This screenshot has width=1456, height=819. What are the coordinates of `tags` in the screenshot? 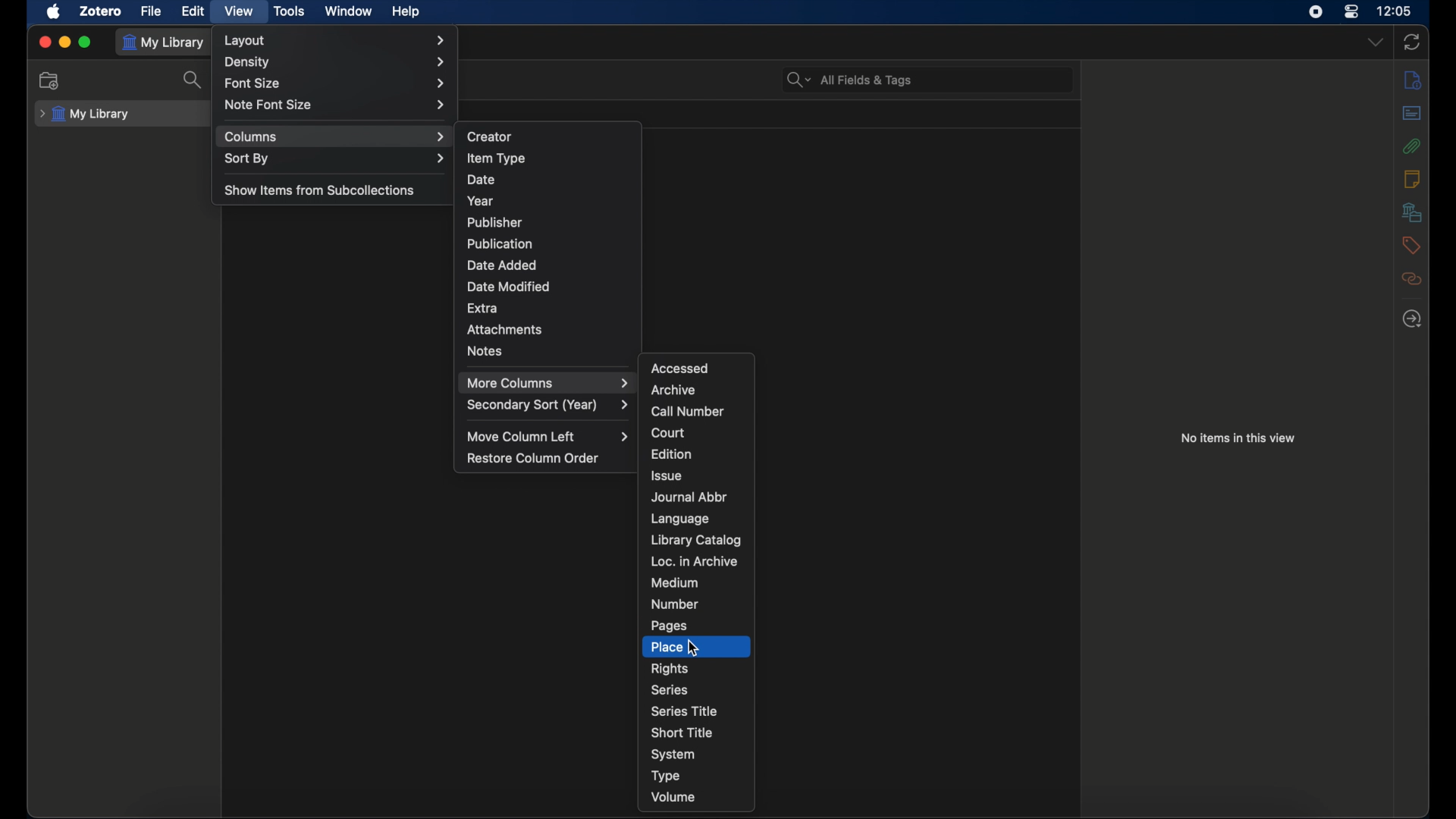 It's located at (1411, 244).